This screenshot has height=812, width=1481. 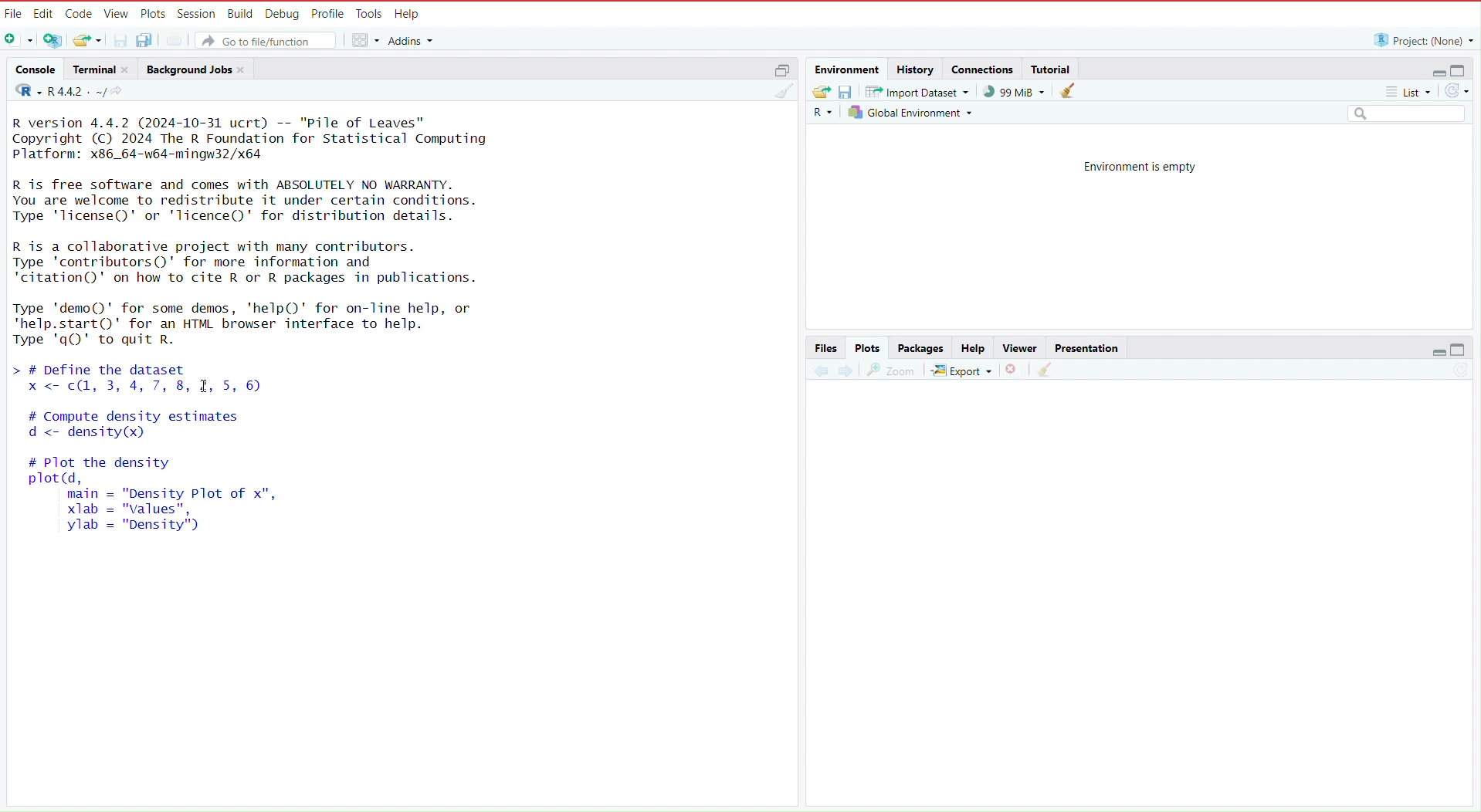 I want to click on environment is empty, so click(x=1131, y=165).